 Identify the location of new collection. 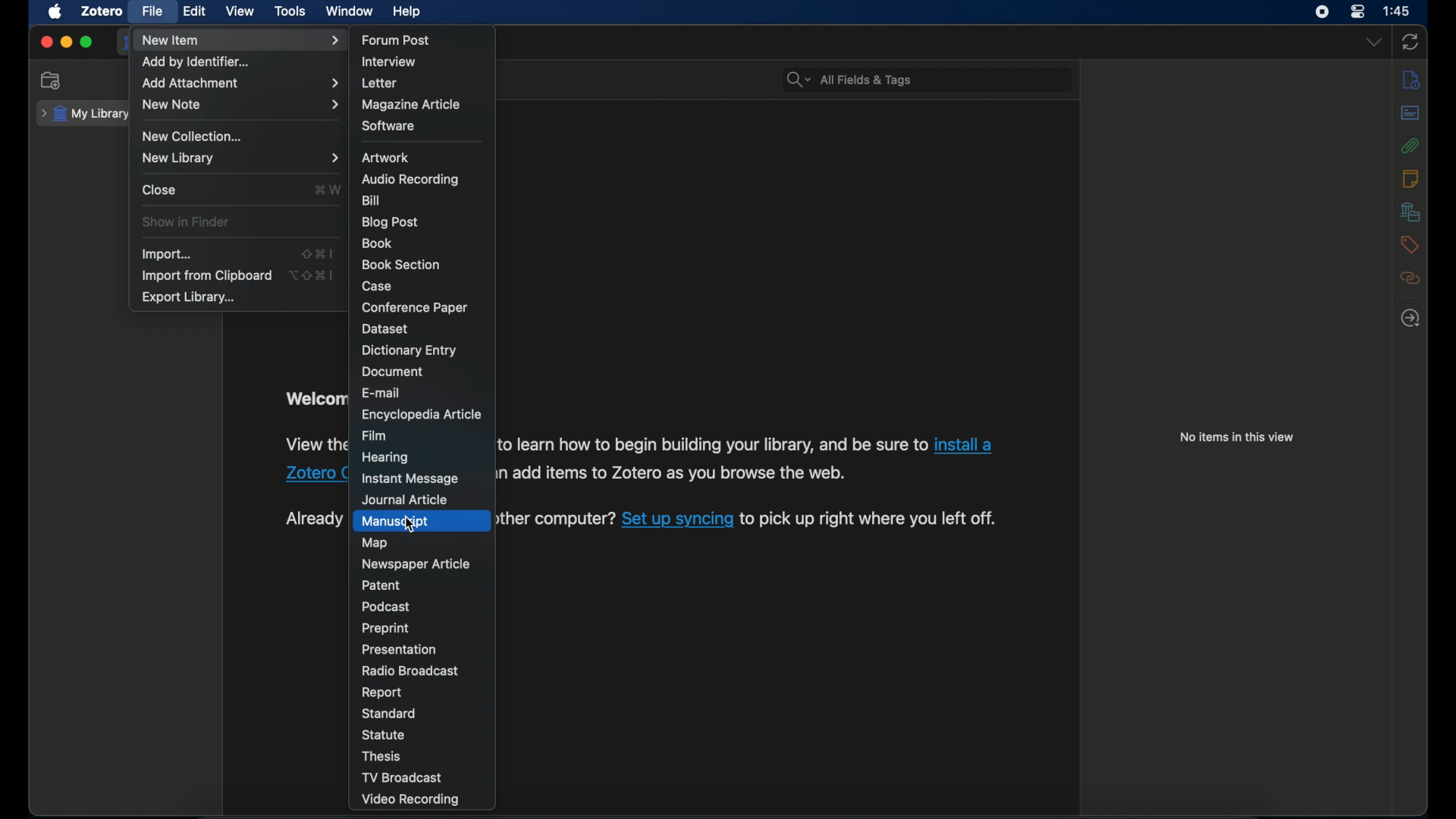
(194, 136).